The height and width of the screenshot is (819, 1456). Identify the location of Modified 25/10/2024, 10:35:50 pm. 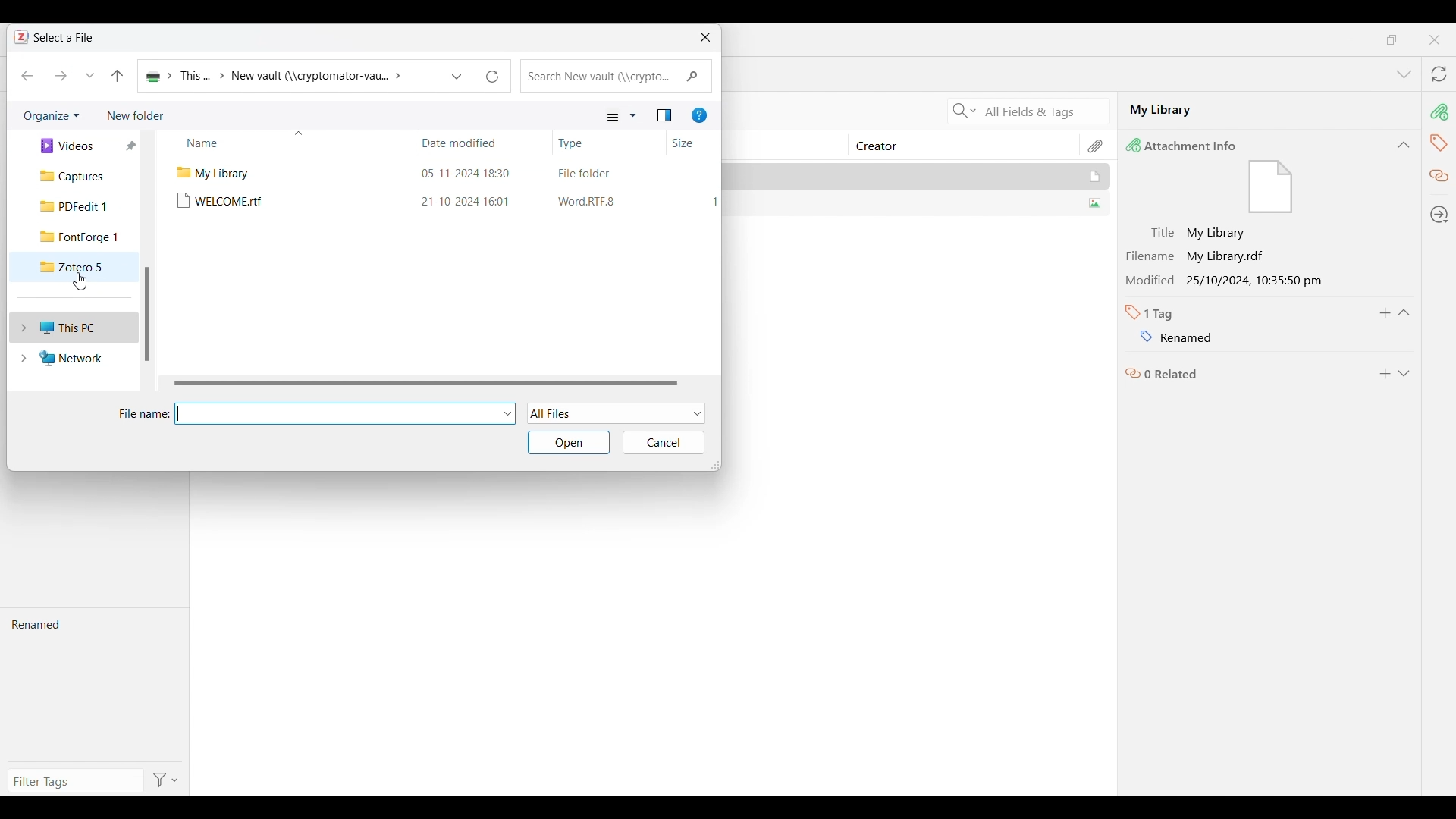
(1231, 281).